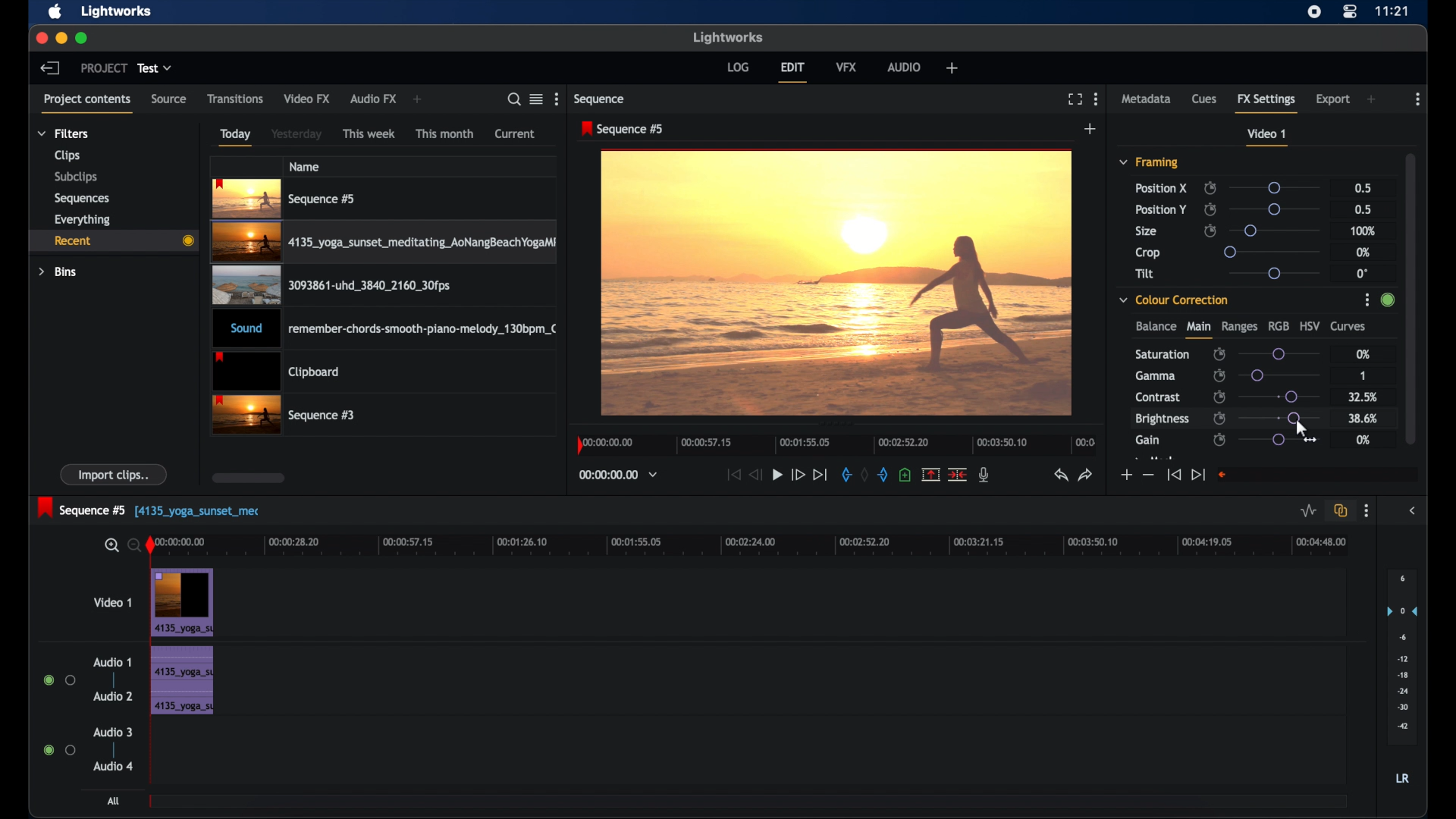 The width and height of the screenshot is (1456, 819). I want to click on options, so click(1362, 302).